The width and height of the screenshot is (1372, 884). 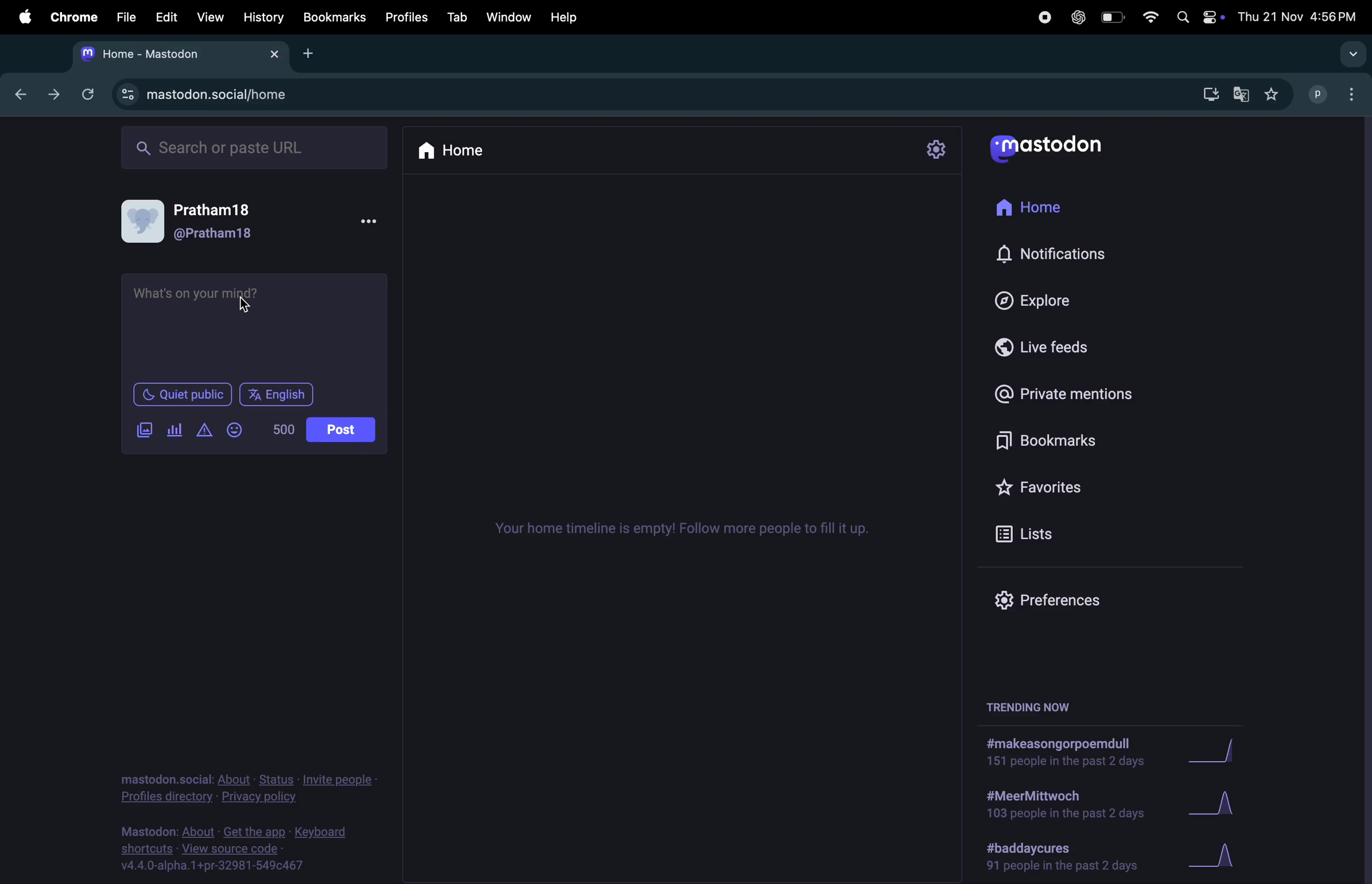 I want to click on profile, so click(x=1313, y=93).